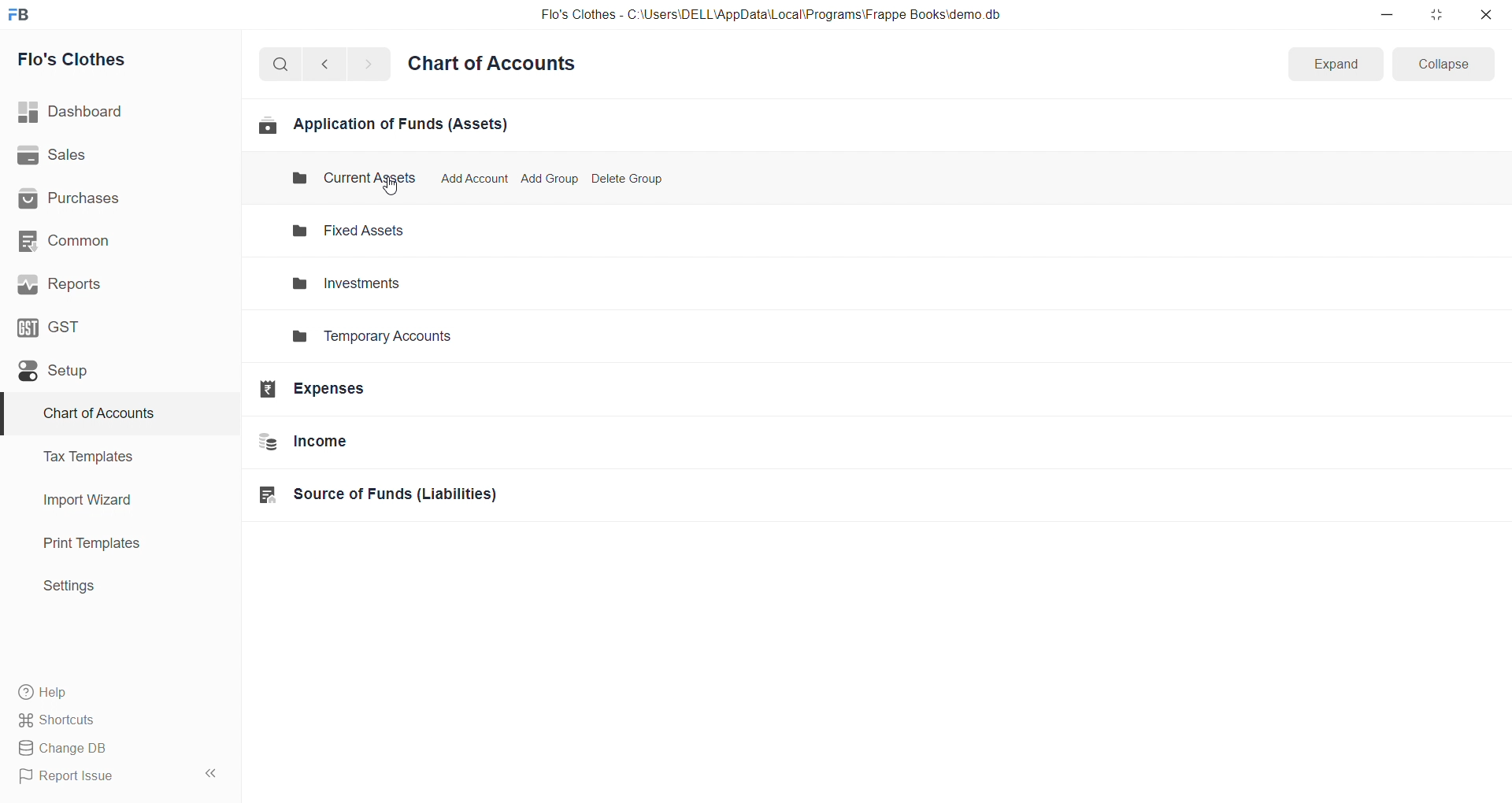 The width and height of the screenshot is (1512, 803). I want to click on Help, so click(114, 691).